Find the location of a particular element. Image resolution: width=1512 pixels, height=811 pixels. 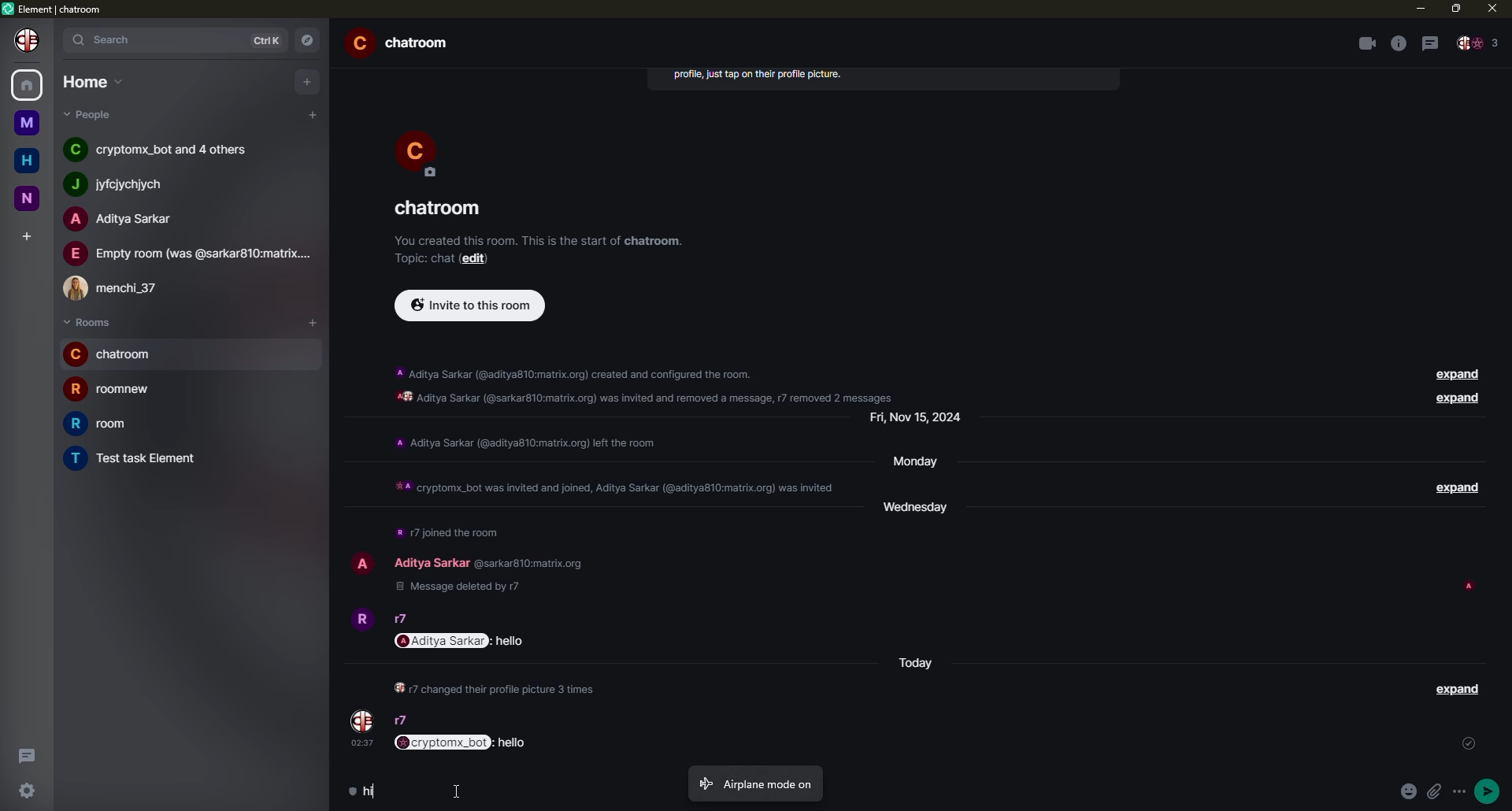

people is located at coordinates (402, 620).